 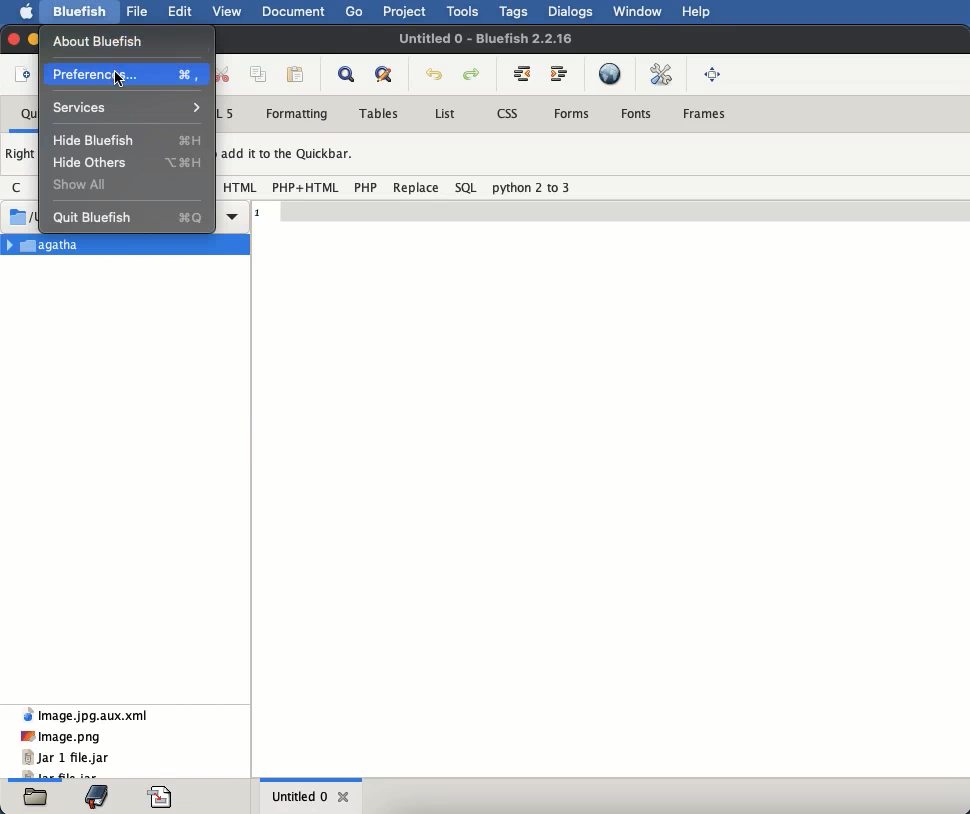 What do you see at coordinates (242, 187) in the screenshot?
I see `HTML` at bounding box center [242, 187].